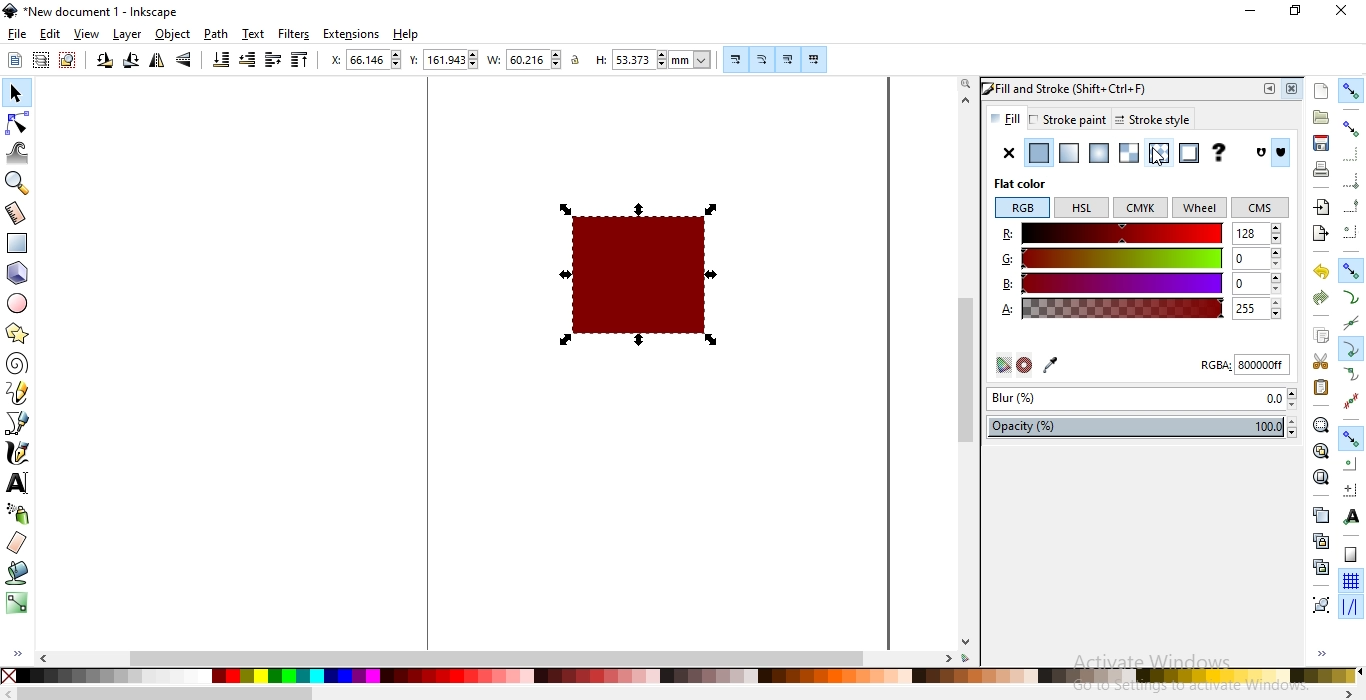 The image size is (1366, 700). I want to click on flip horizontally, so click(157, 63).